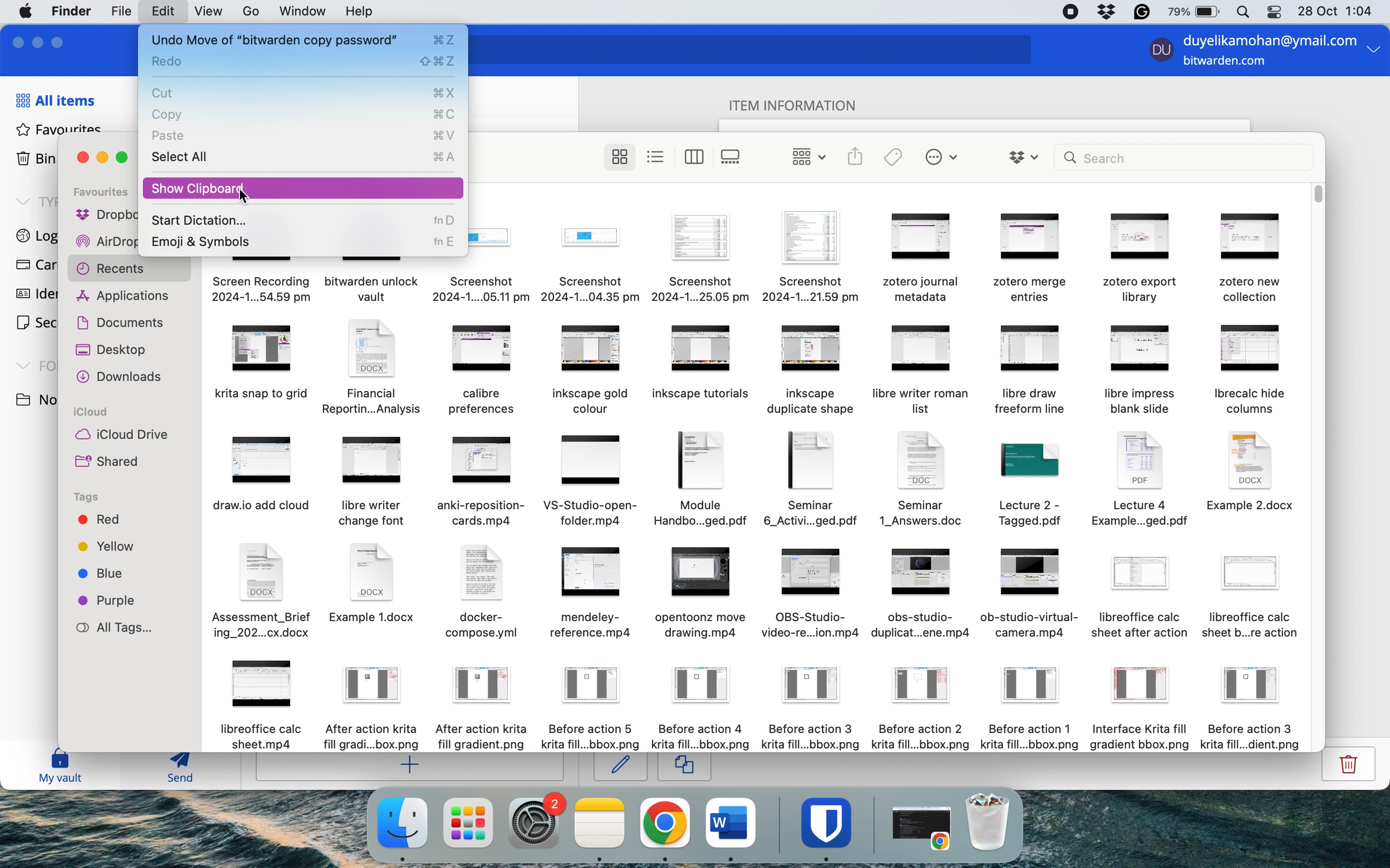  I want to click on yellow tag, so click(107, 549).